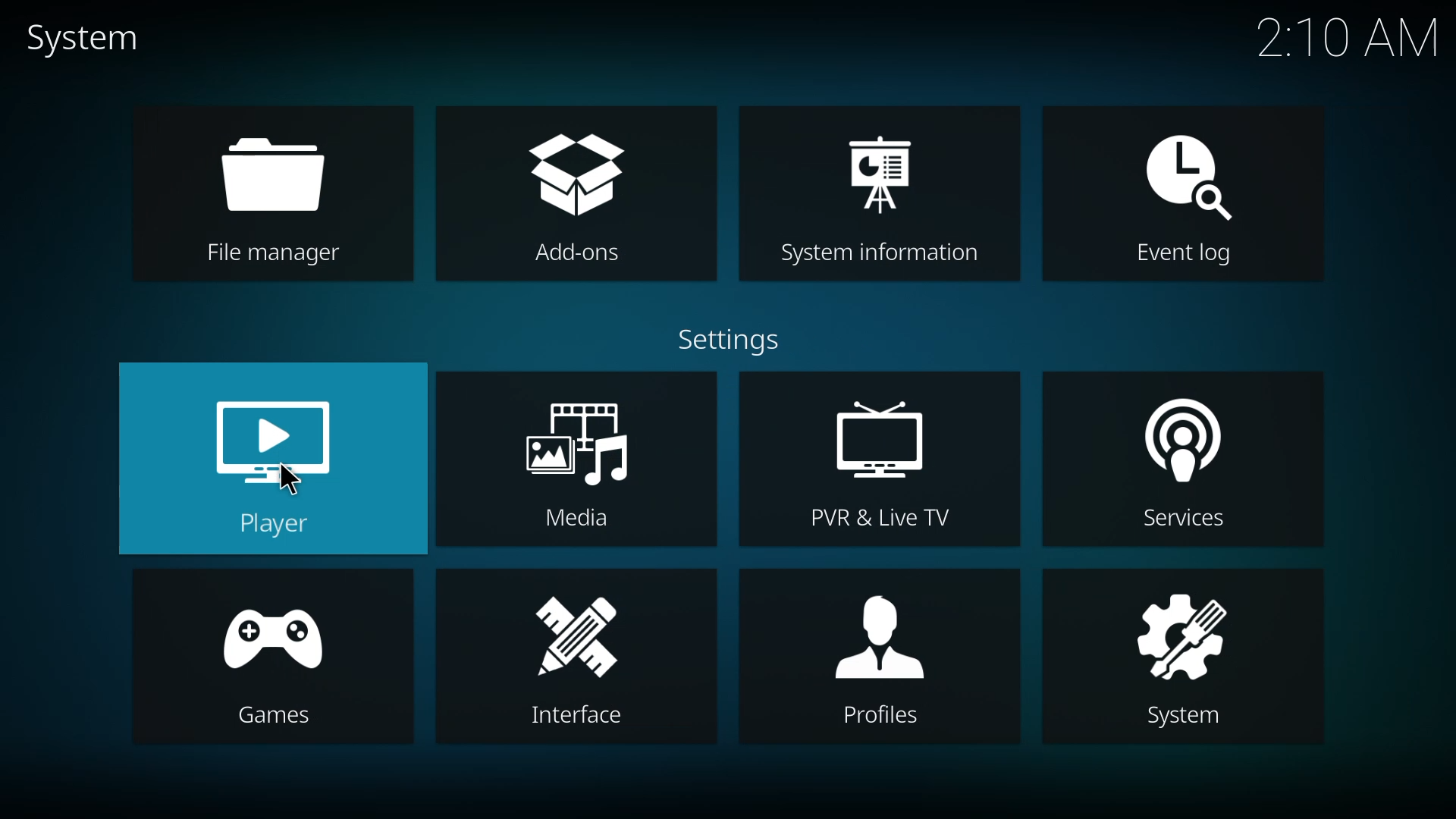  Describe the element at coordinates (1183, 656) in the screenshot. I see `system` at that location.